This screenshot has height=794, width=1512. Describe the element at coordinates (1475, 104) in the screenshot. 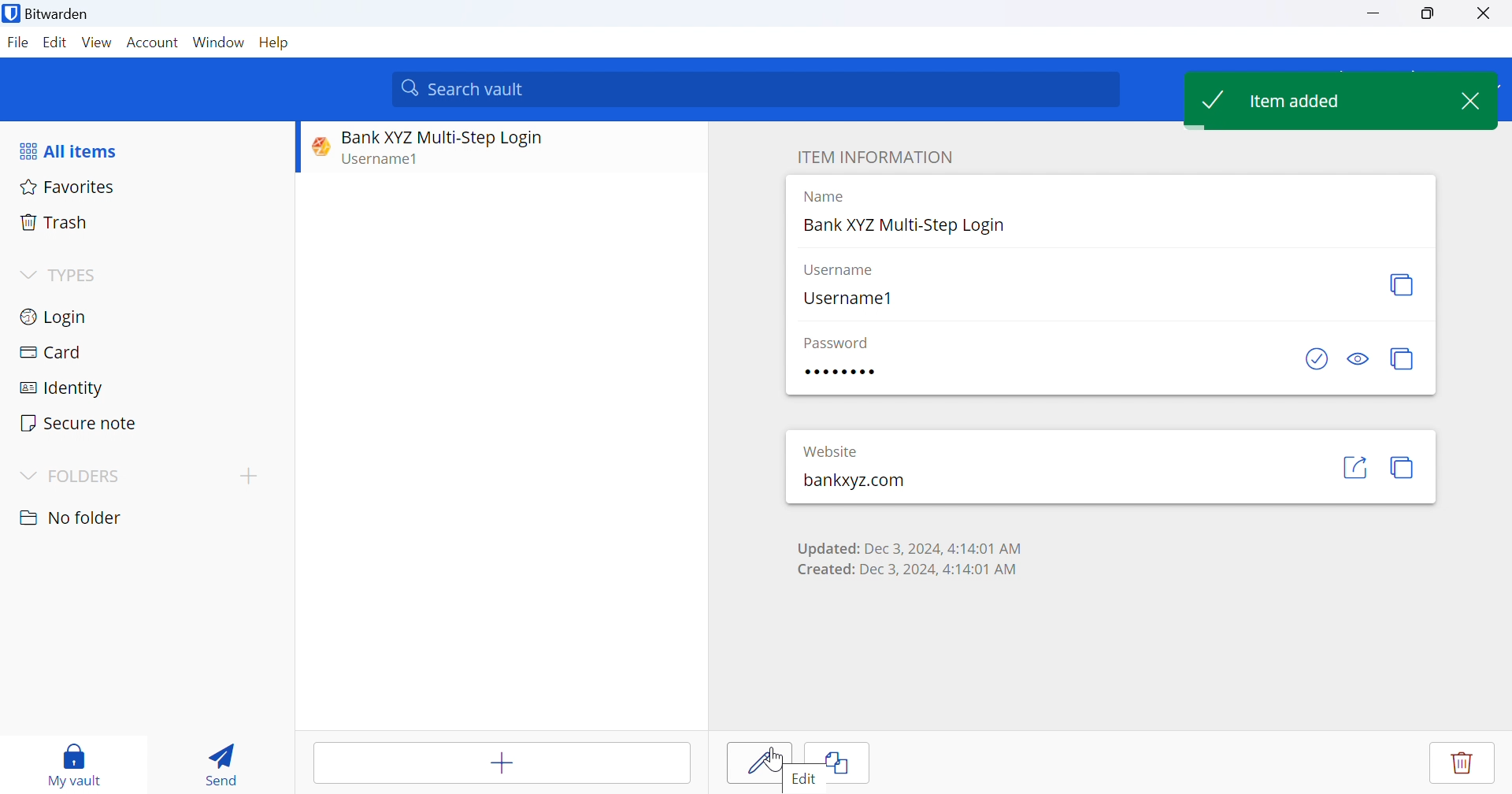

I see `Close` at that location.